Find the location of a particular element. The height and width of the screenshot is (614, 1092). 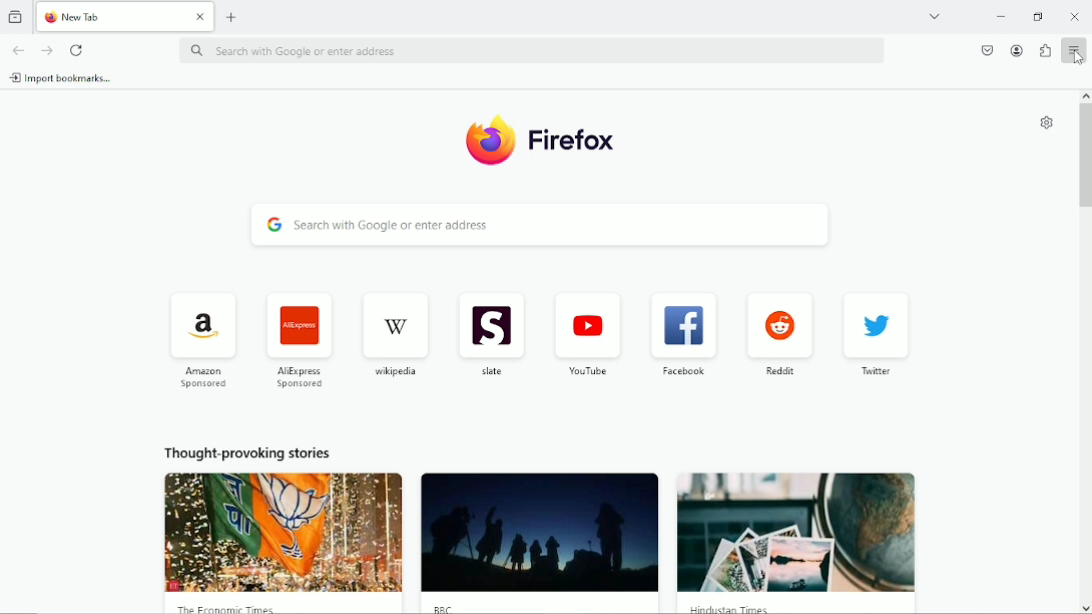

news is located at coordinates (283, 543).